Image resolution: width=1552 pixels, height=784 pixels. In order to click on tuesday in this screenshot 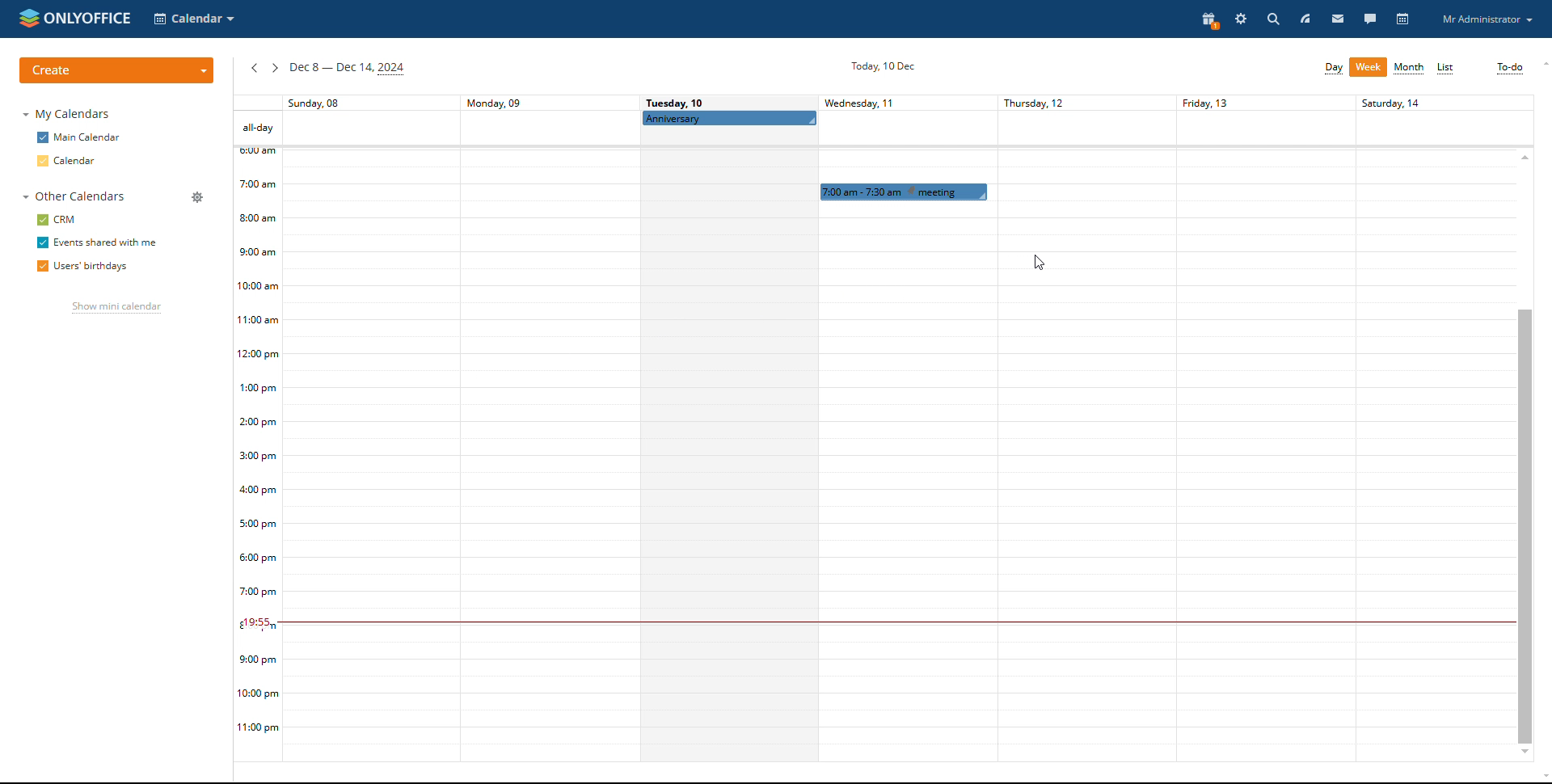, I will do `click(727, 448)`.